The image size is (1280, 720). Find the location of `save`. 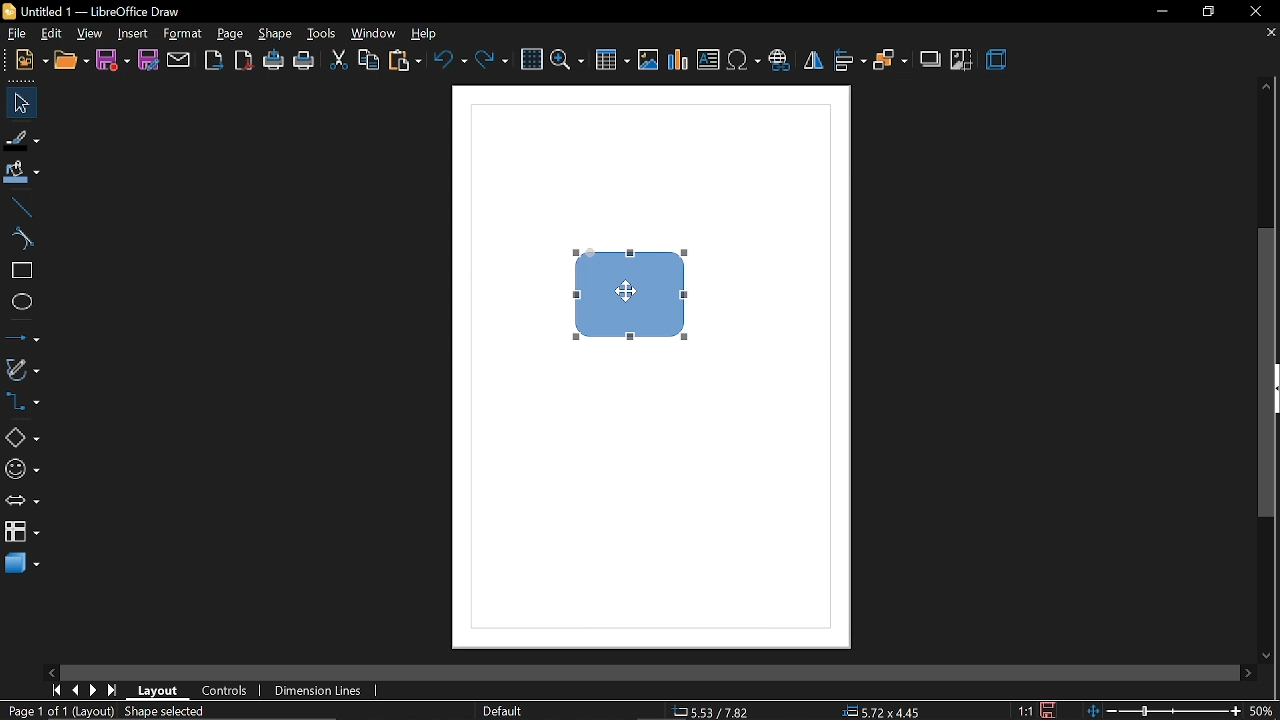

save is located at coordinates (1049, 710).